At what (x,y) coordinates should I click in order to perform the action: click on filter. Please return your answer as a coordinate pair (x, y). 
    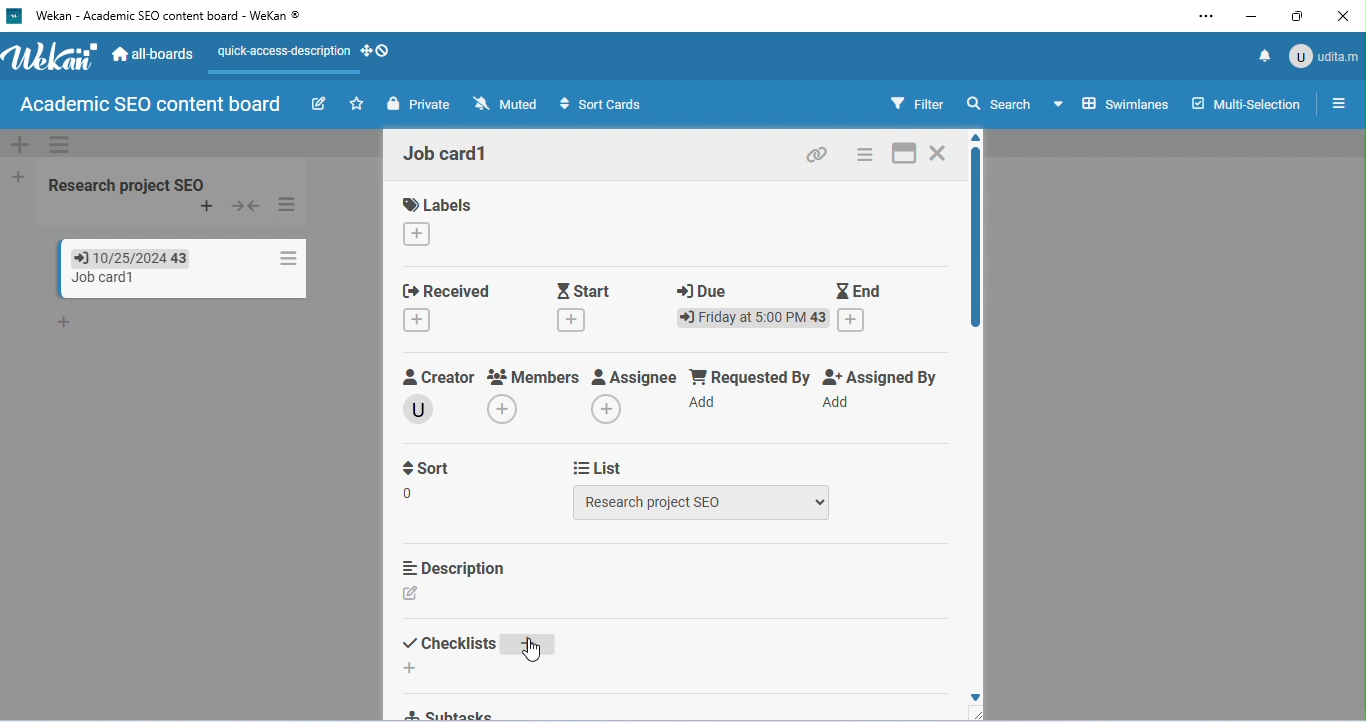
    Looking at the image, I should click on (917, 103).